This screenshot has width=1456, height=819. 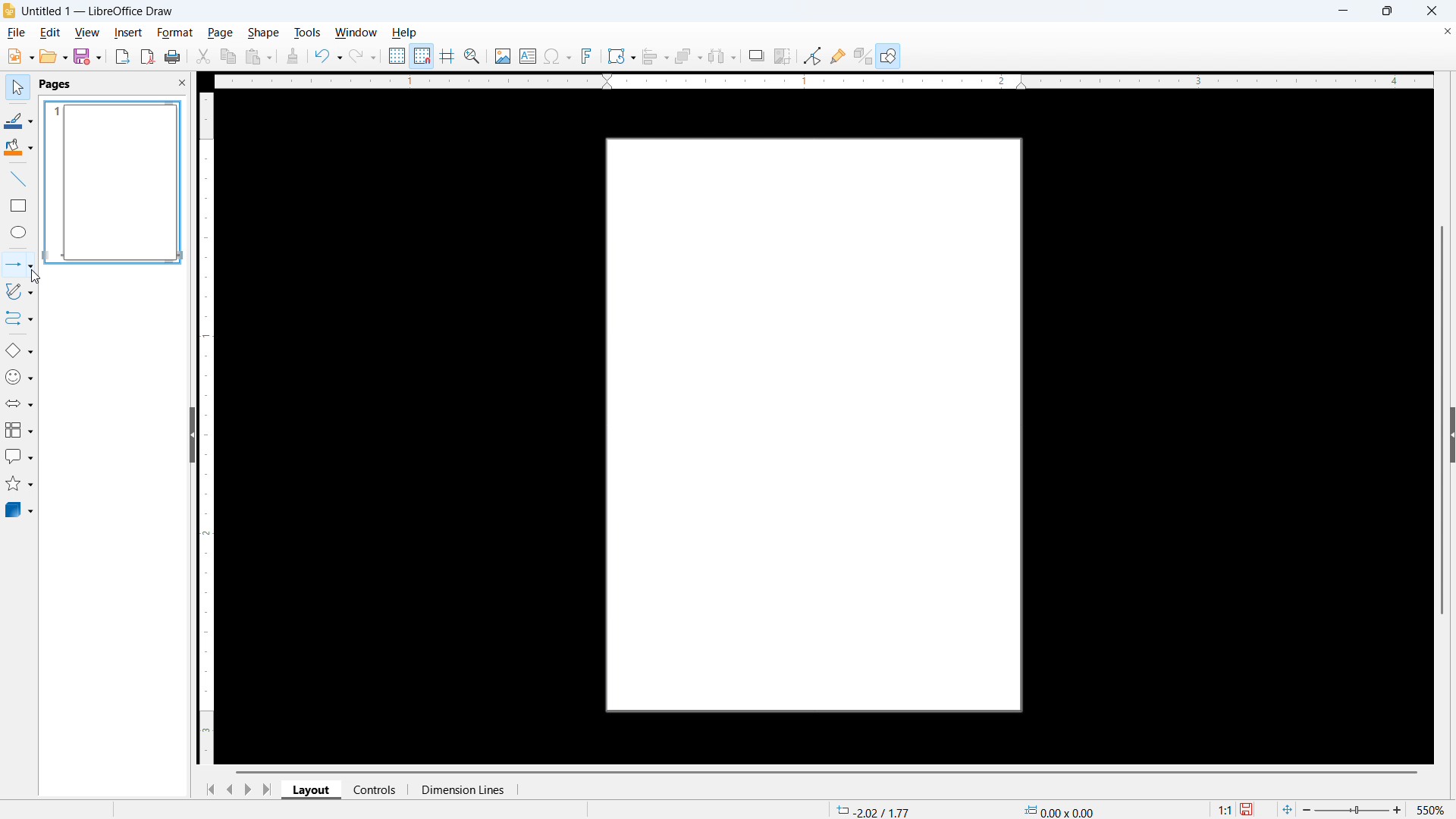 What do you see at coordinates (262, 33) in the screenshot?
I see `Shape ` at bounding box center [262, 33].